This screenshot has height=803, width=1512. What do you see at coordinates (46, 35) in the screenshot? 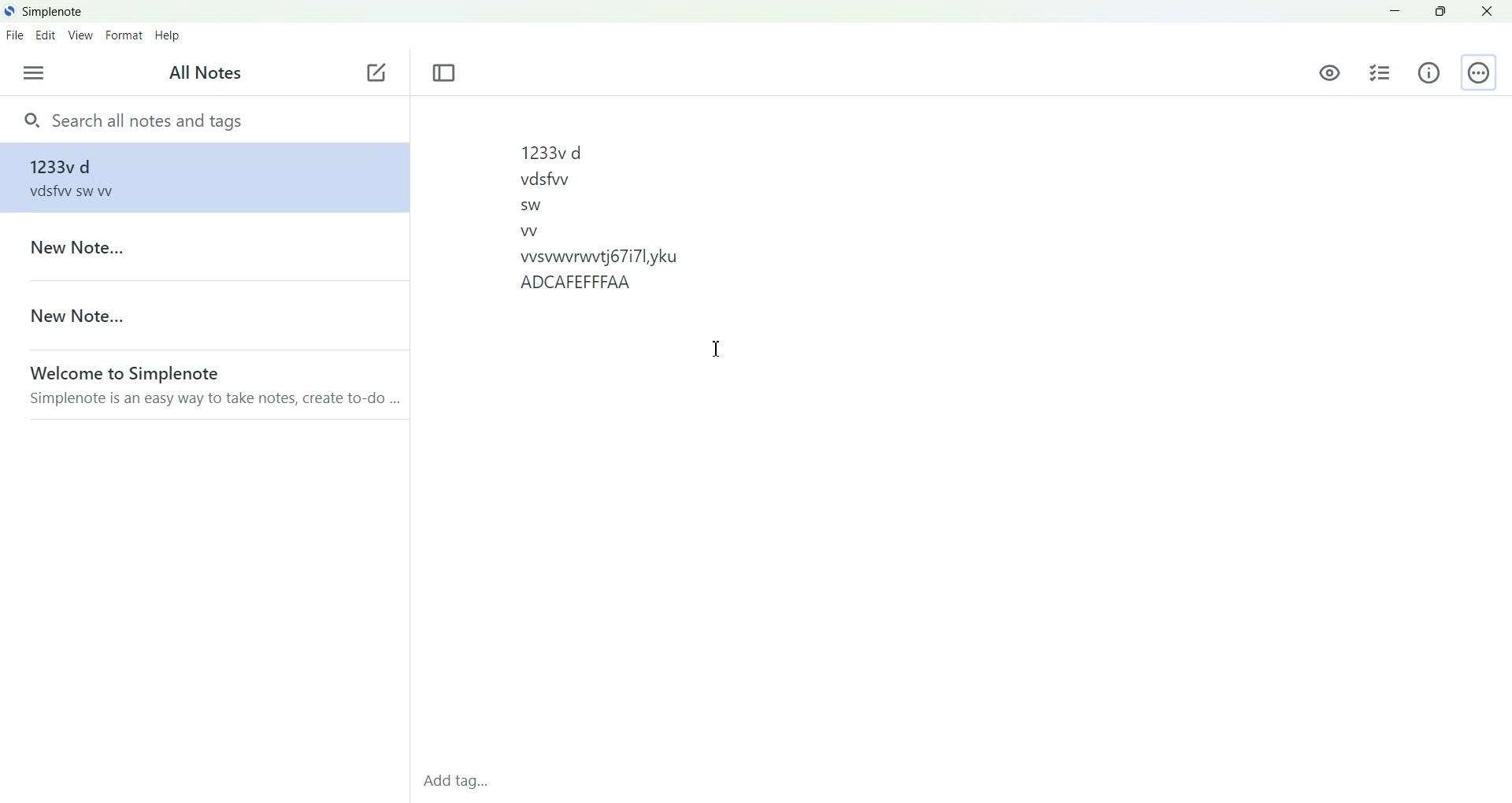
I see `Edit` at bounding box center [46, 35].